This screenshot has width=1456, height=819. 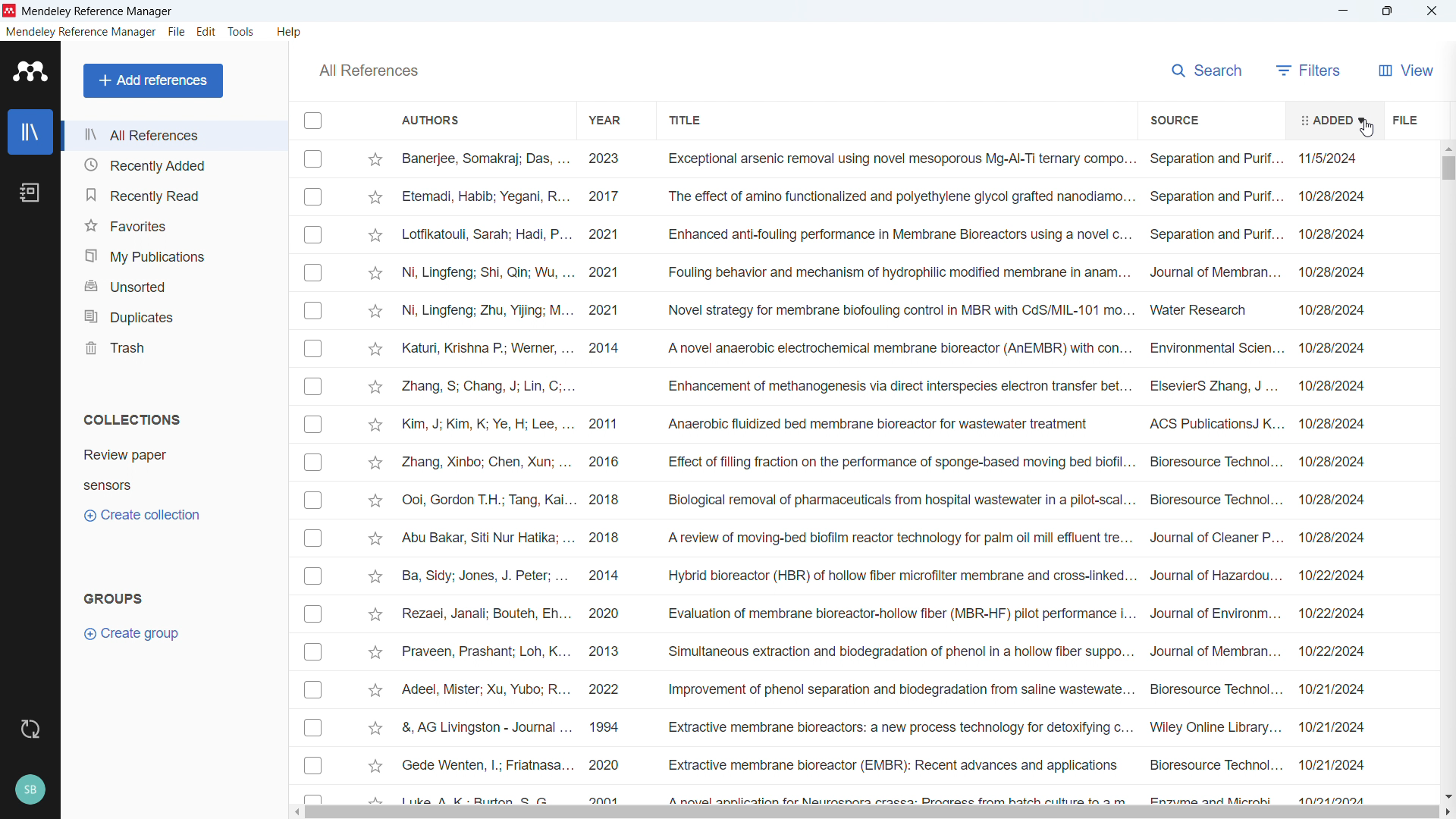 What do you see at coordinates (607, 474) in the screenshot?
I see `year of publication for individual entries ` at bounding box center [607, 474].